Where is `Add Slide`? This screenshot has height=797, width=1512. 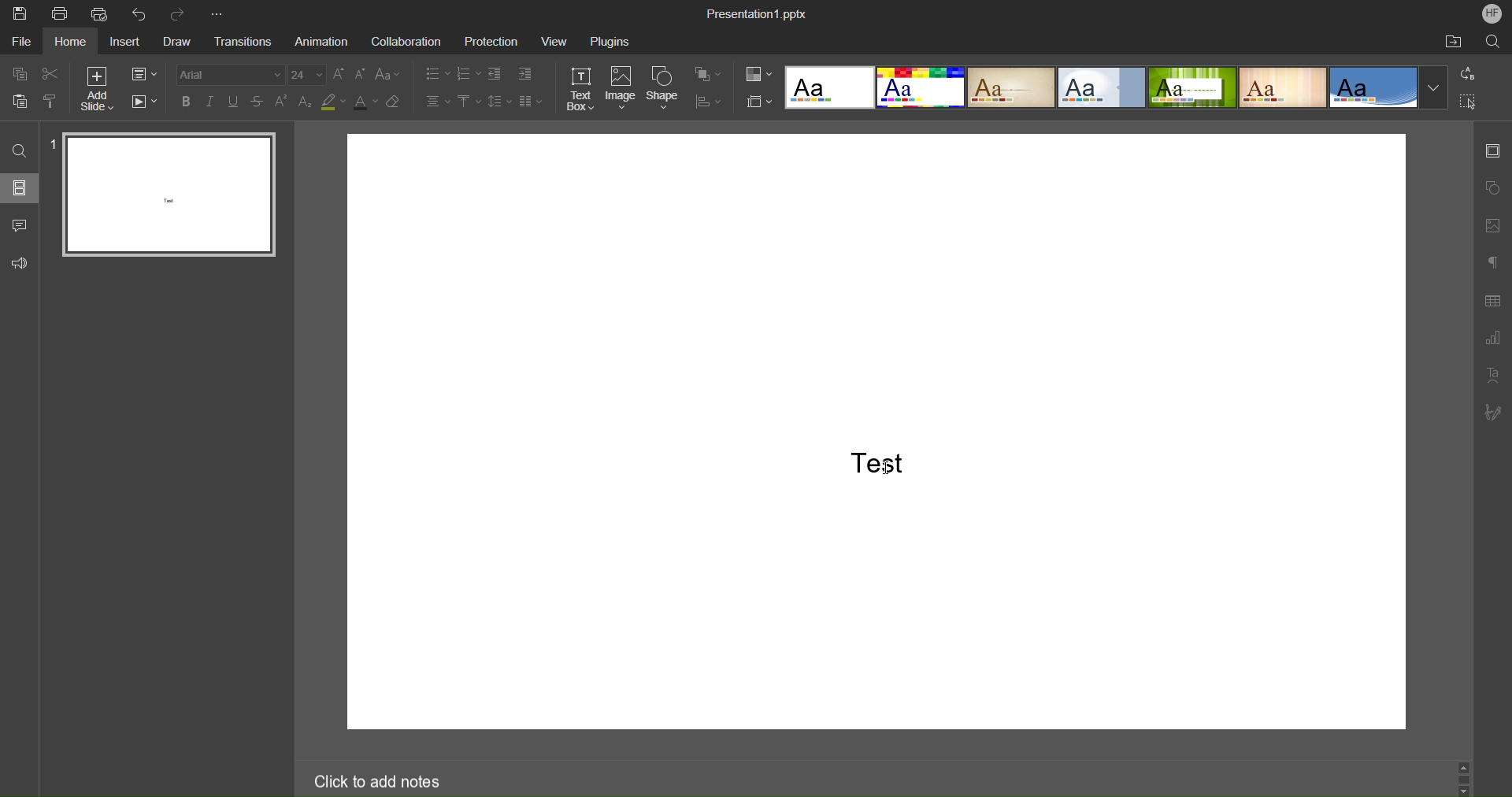 Add Slide is located at coordinates (95, 89).